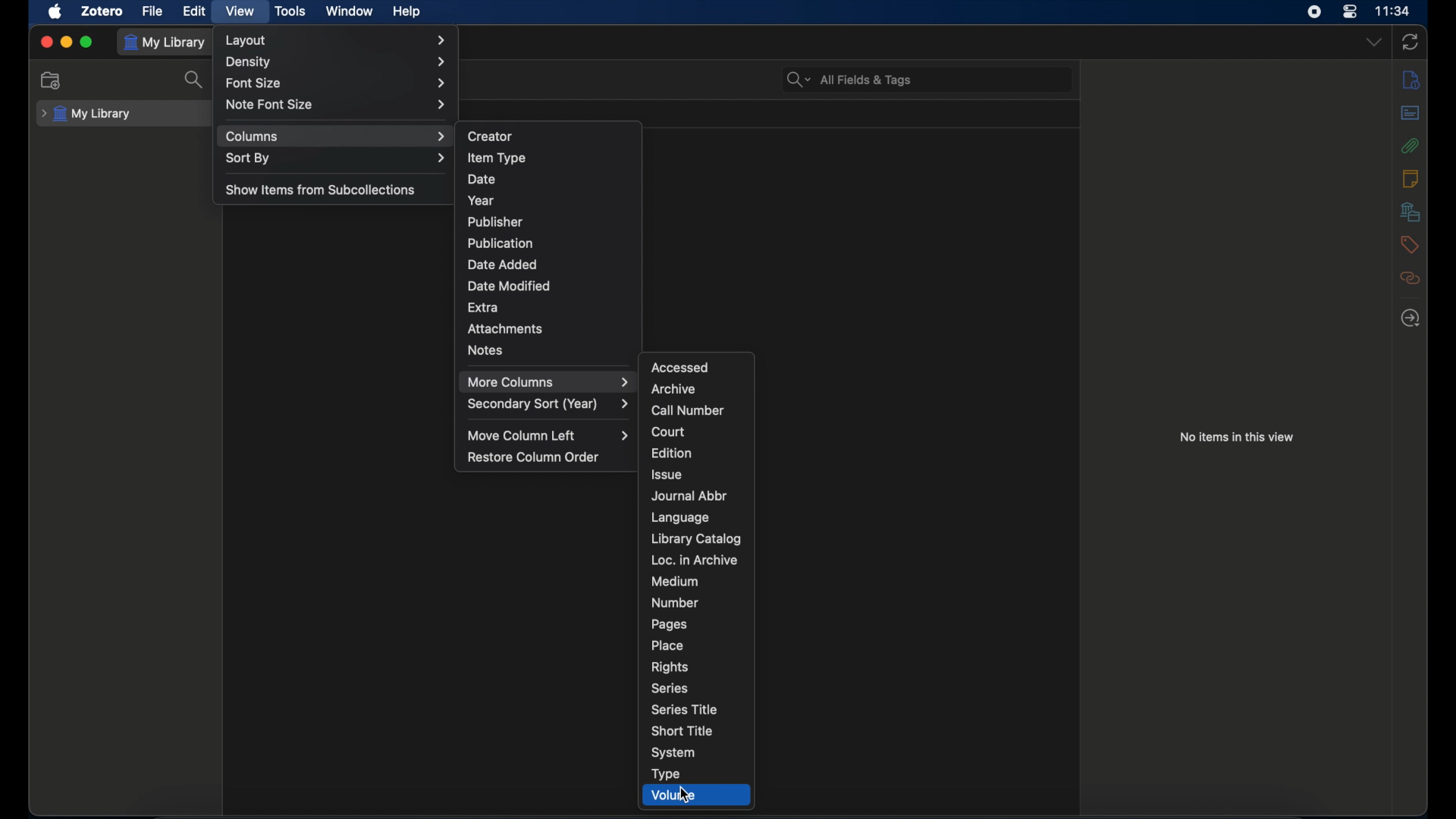  I want to click on attachments, so click(504, 329).